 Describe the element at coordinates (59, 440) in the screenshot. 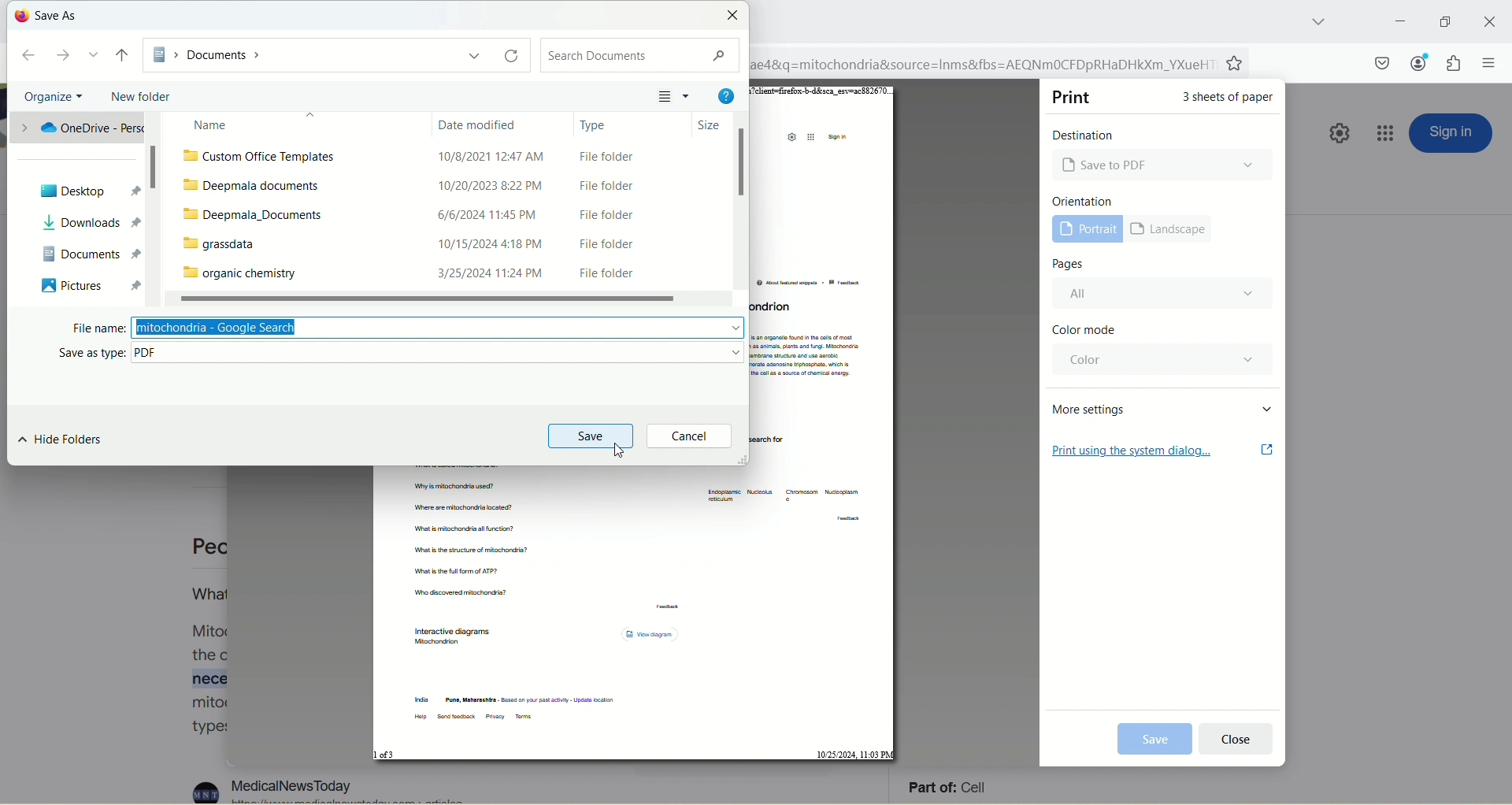

I see `hide folders` at that location.